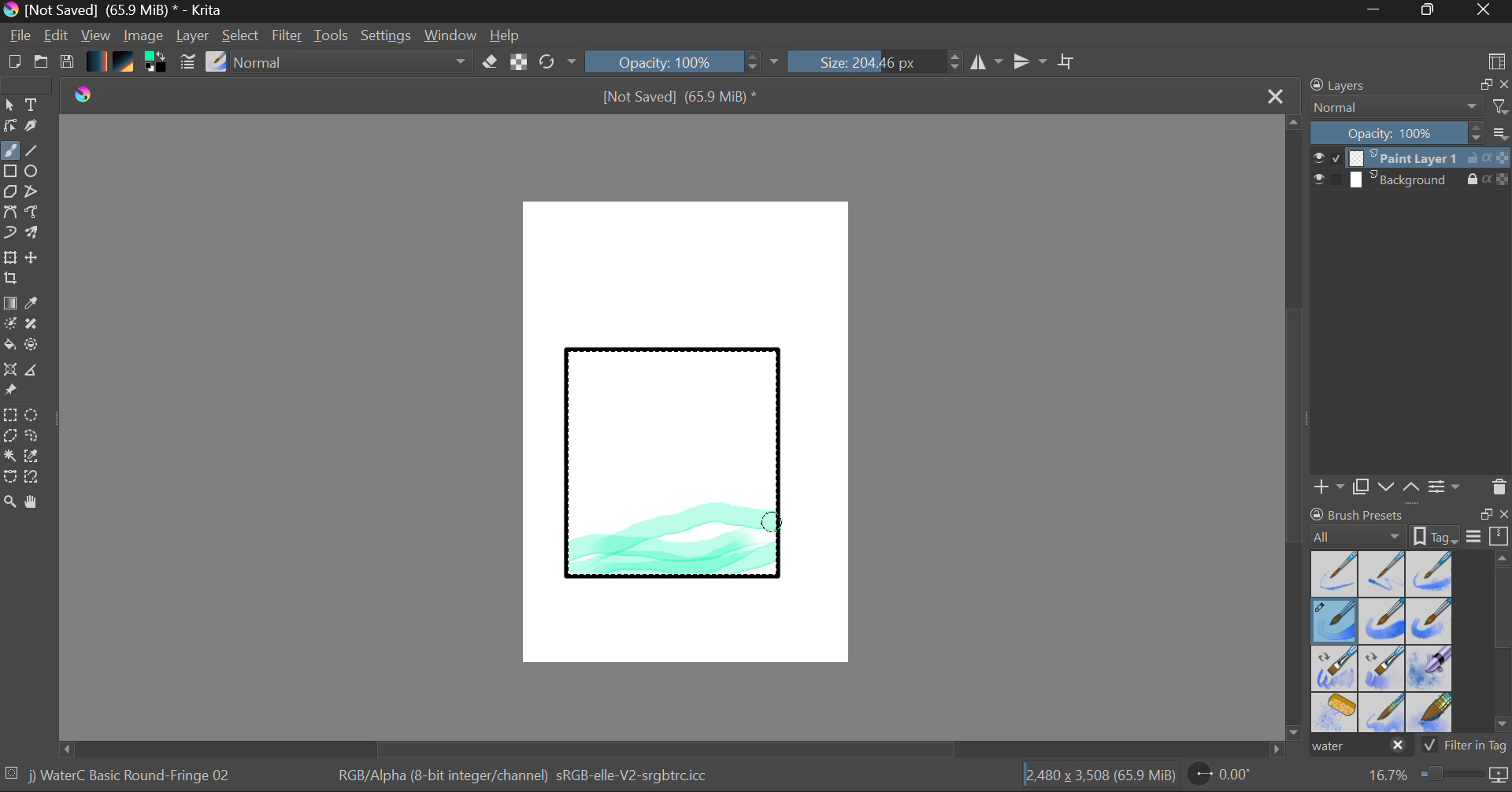 This screenshot has height=792, width=1512. I want to click on Rectangle Shape Selected, so click(674, 479).